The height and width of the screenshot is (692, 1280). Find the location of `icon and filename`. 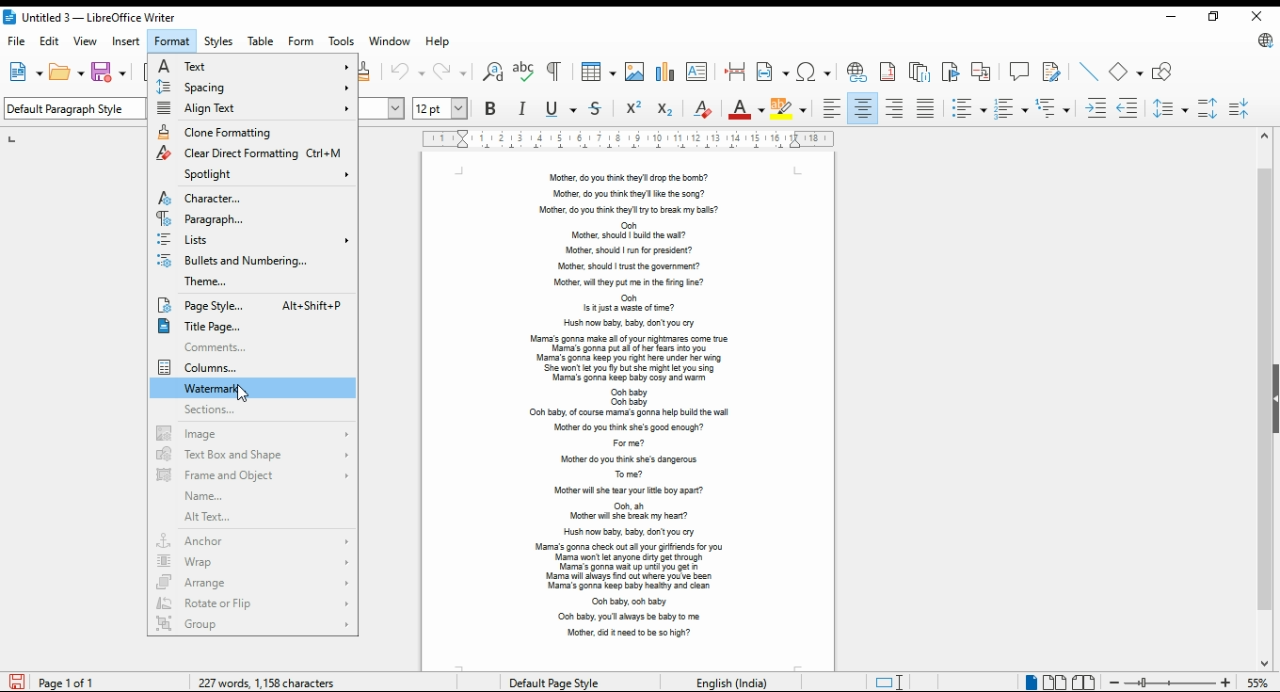

icon and filename is located at coordinates (108, 17).